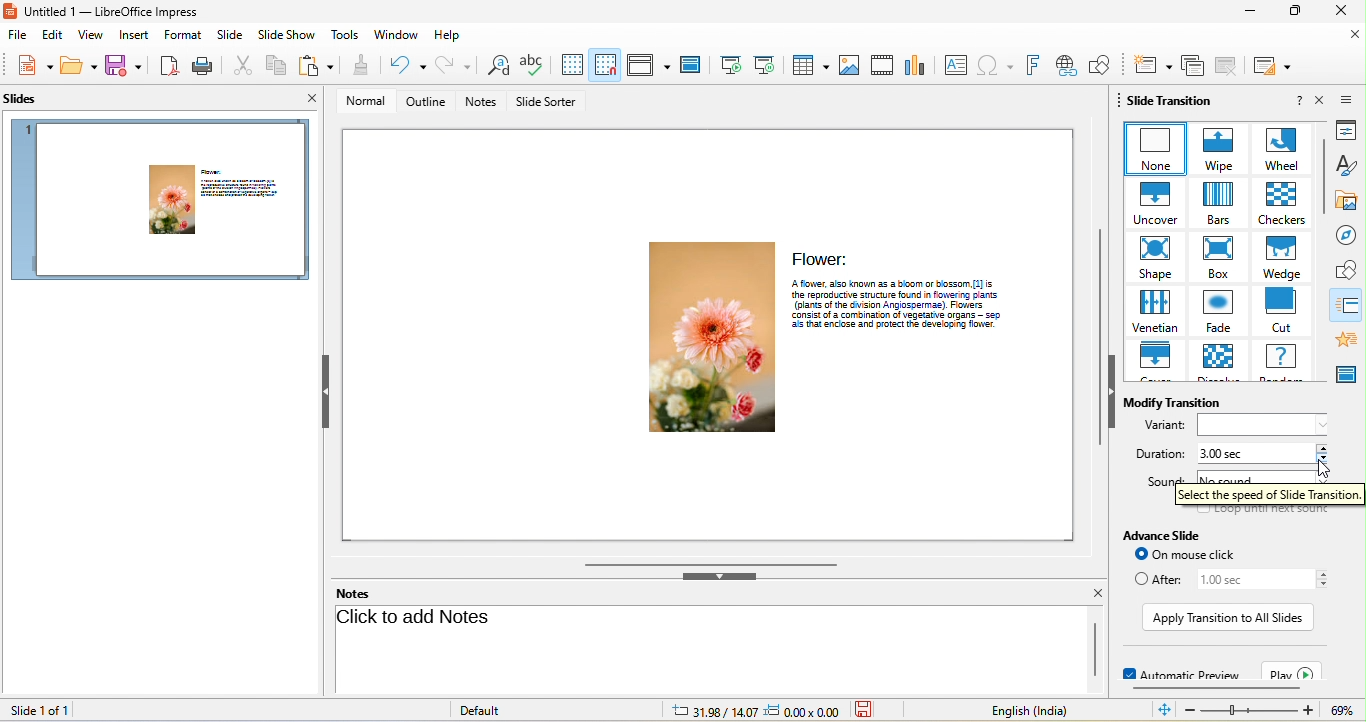  What do you see at coordinates (1250, 455) in the screenshot?
I see `3.00 sec` at bounding box center [1250, 455].